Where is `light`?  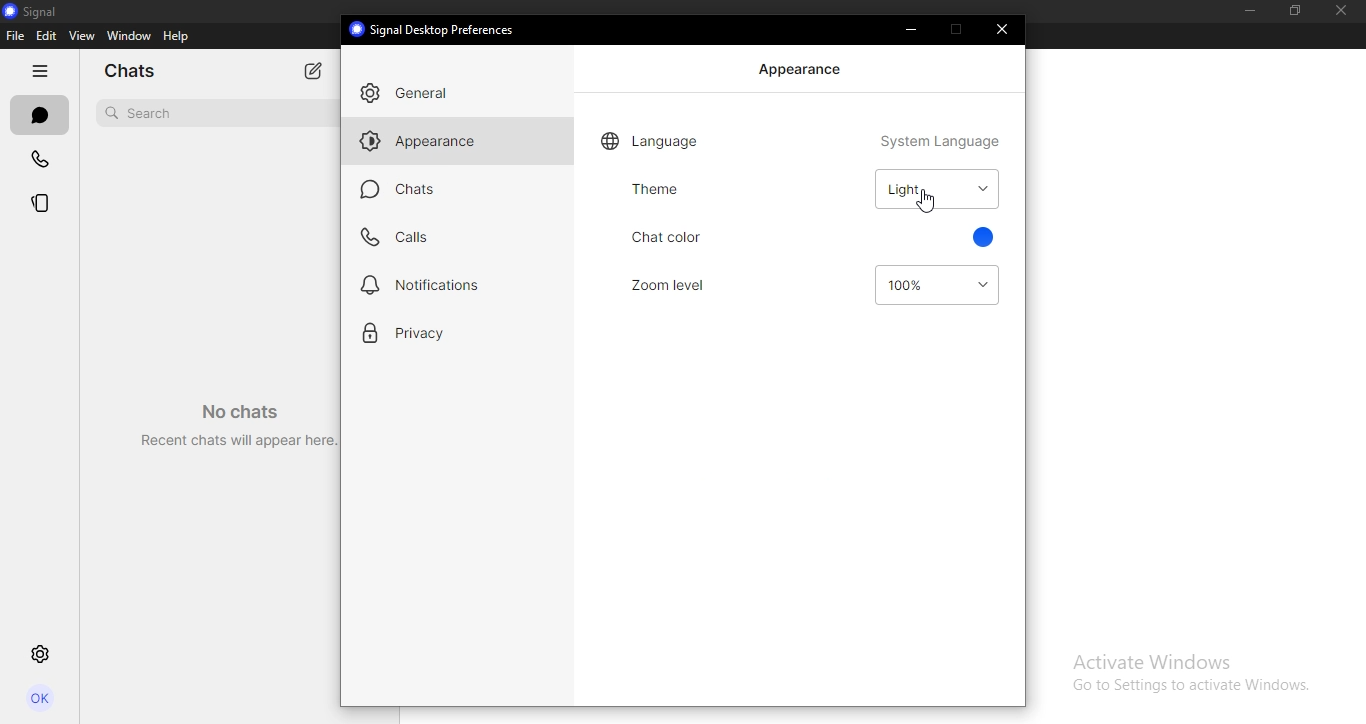 light is located at coordinates (936, 188).